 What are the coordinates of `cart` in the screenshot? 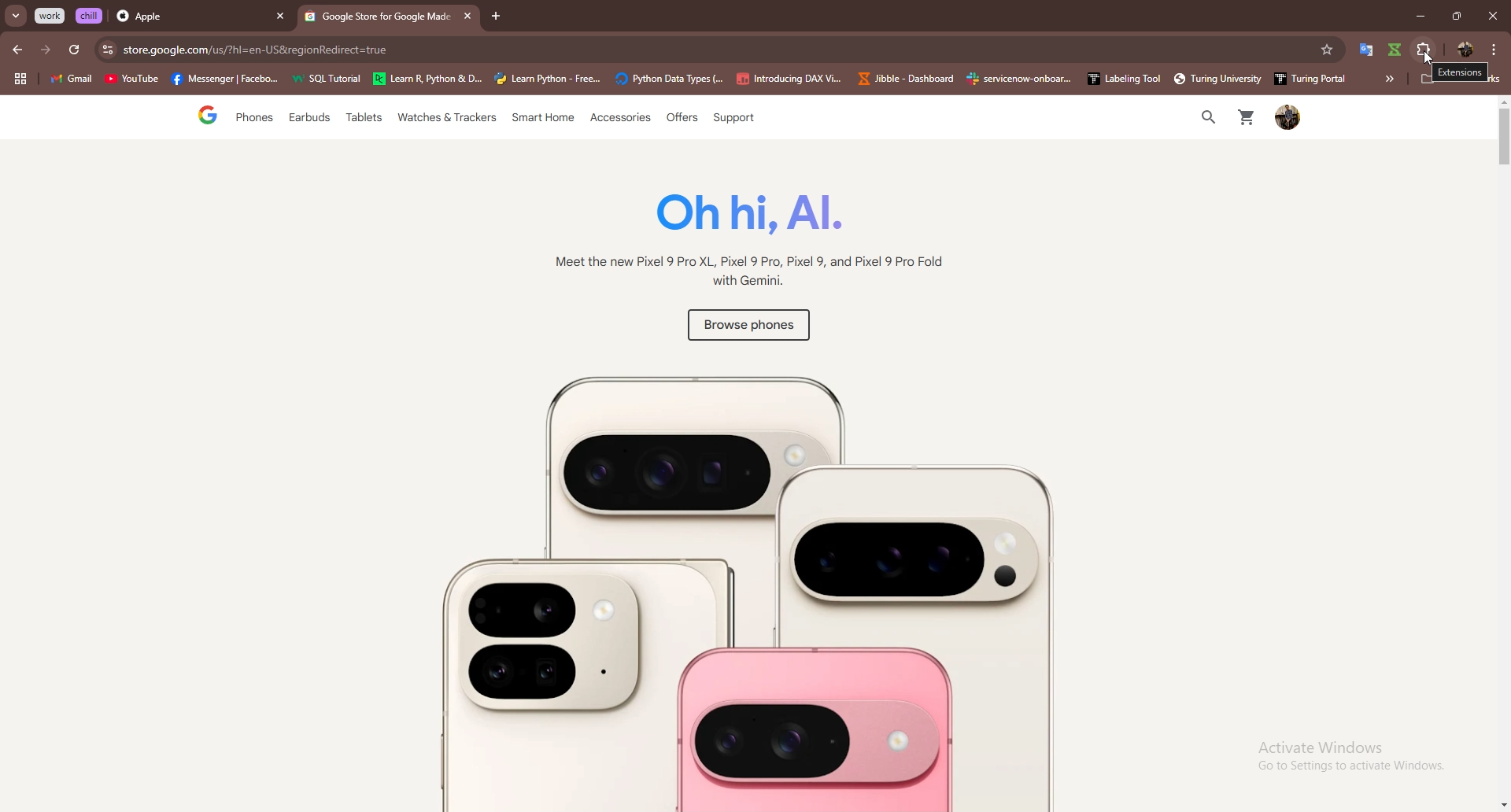 It's located at (1244, 119).